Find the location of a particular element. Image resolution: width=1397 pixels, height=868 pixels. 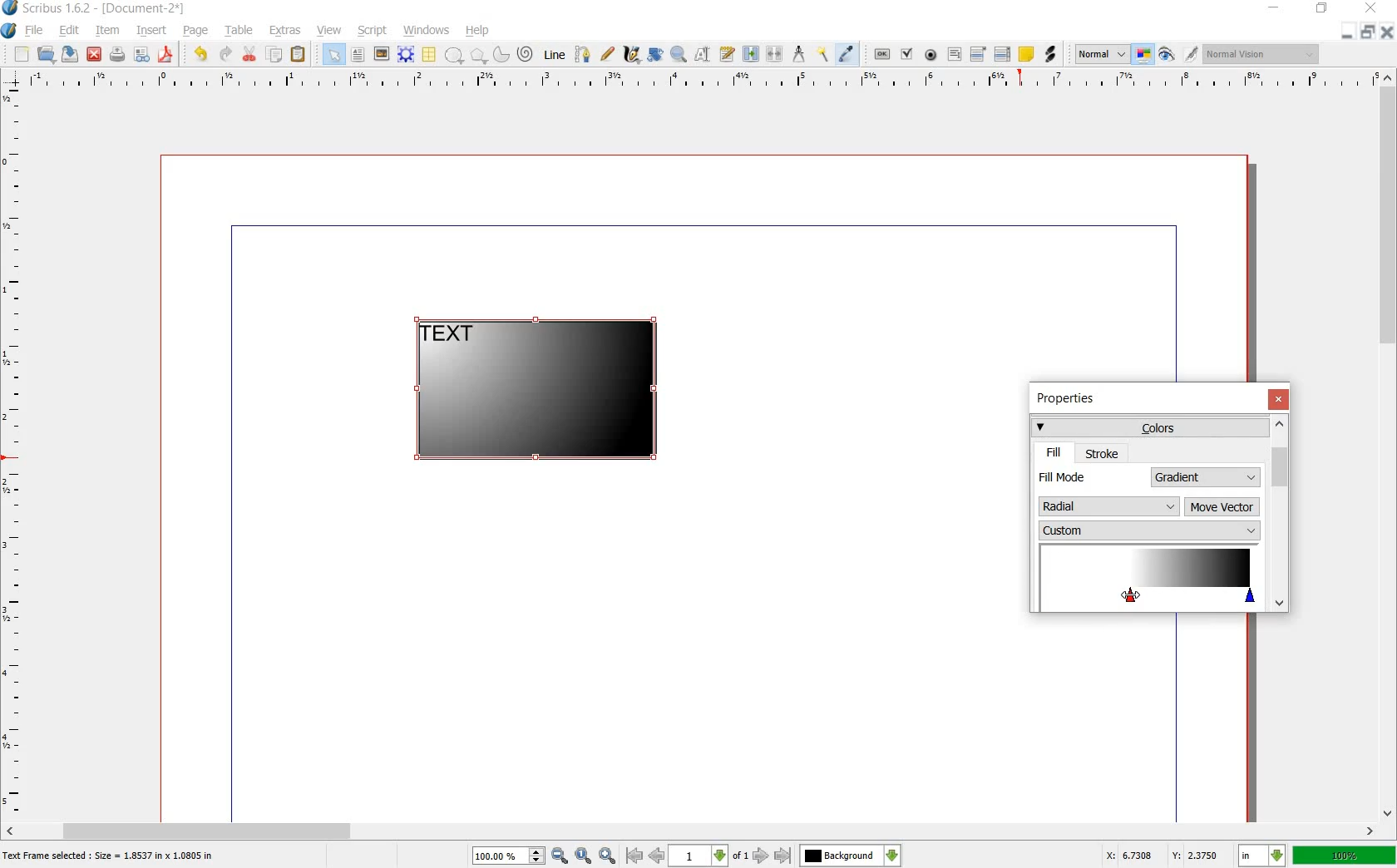

table is located at coordinates (240, 32).